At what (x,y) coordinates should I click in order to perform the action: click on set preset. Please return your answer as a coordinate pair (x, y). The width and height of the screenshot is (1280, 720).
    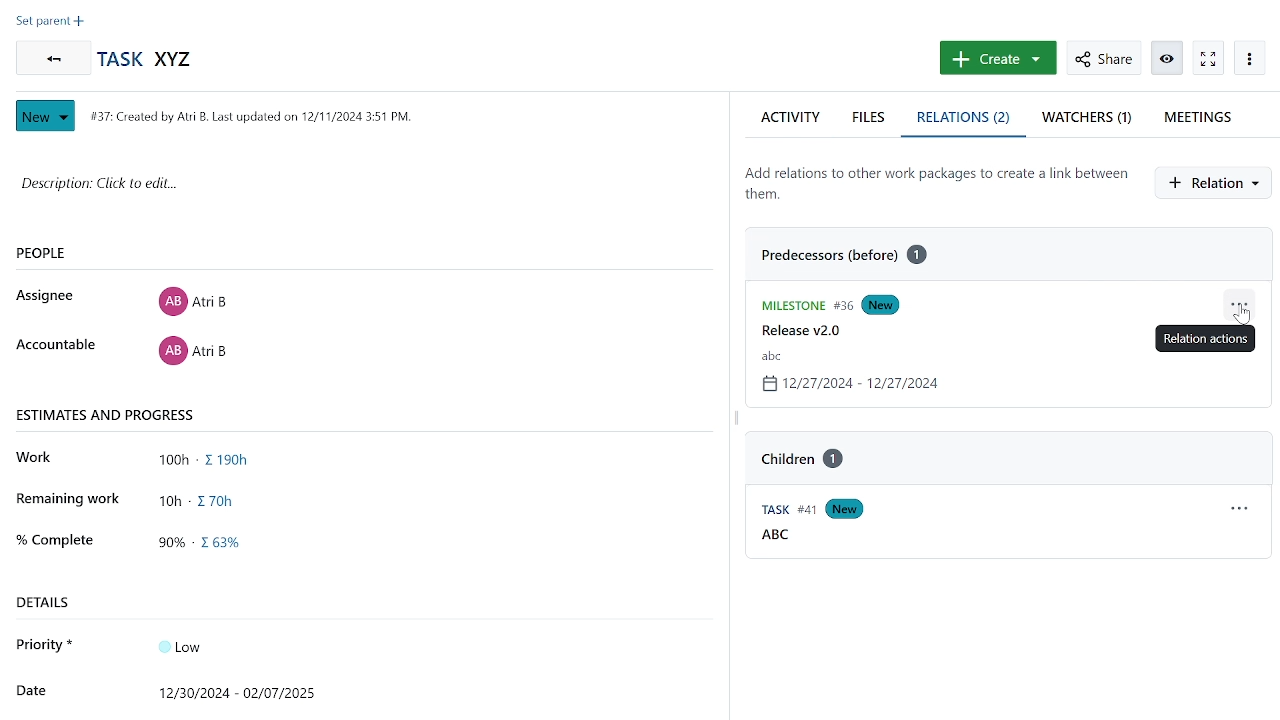
    Looking at the image, I should click on (50, 23).